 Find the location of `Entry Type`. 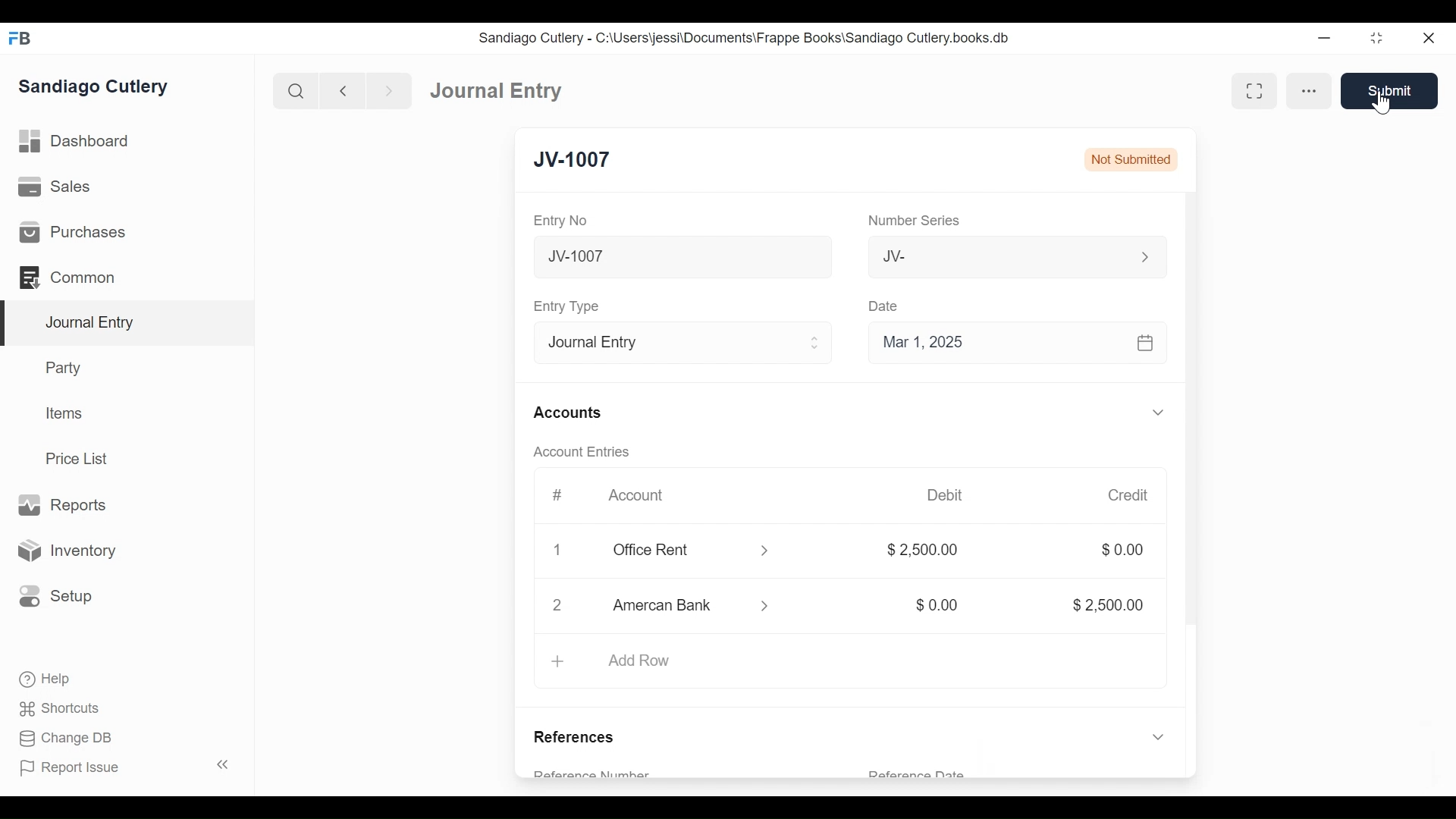

Entry Type is located at coordinates (566, 306).